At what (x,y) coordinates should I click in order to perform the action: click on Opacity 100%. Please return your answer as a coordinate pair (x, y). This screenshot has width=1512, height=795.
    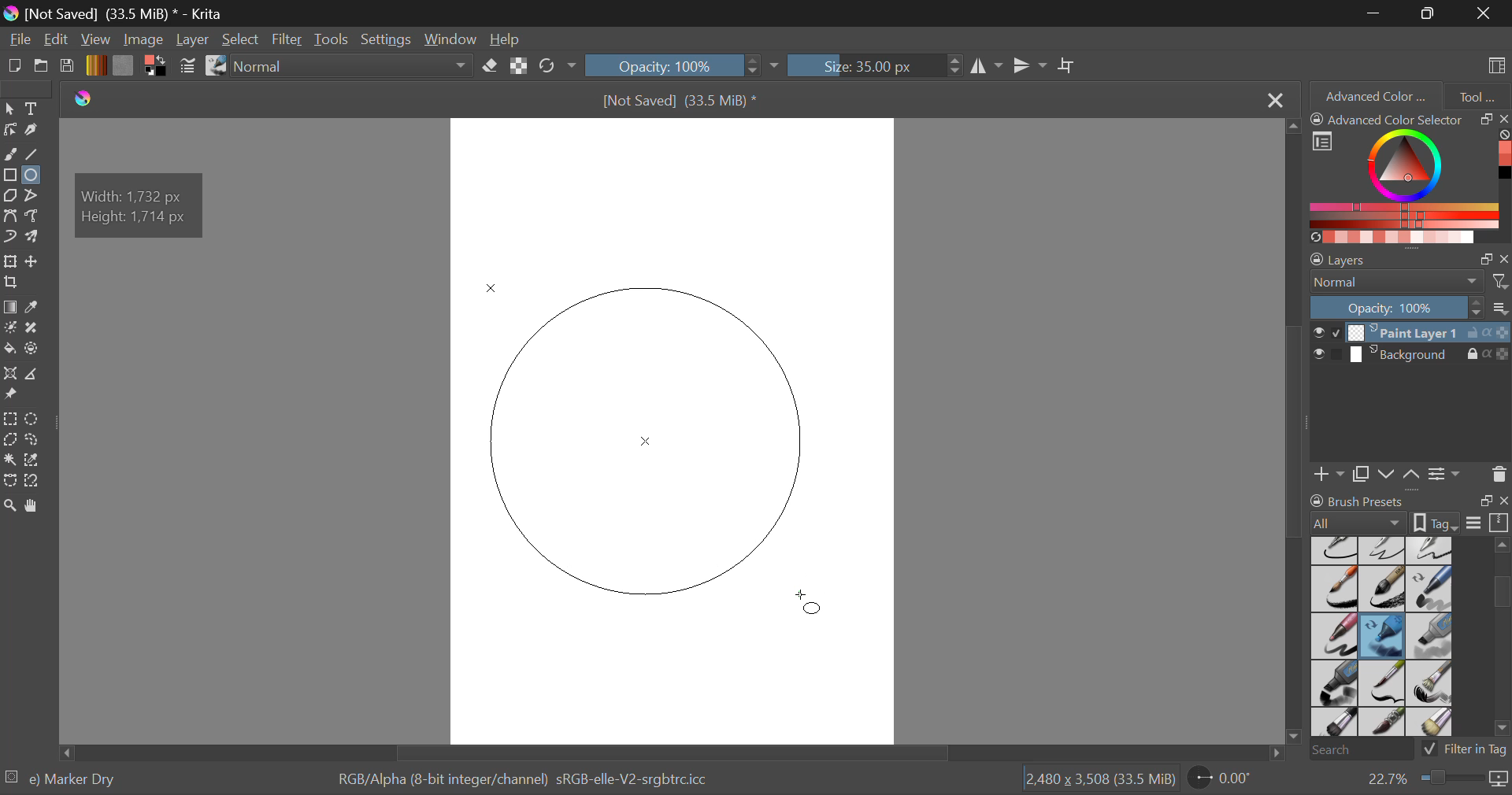
    Looking at the image, I should click on (672, 65).